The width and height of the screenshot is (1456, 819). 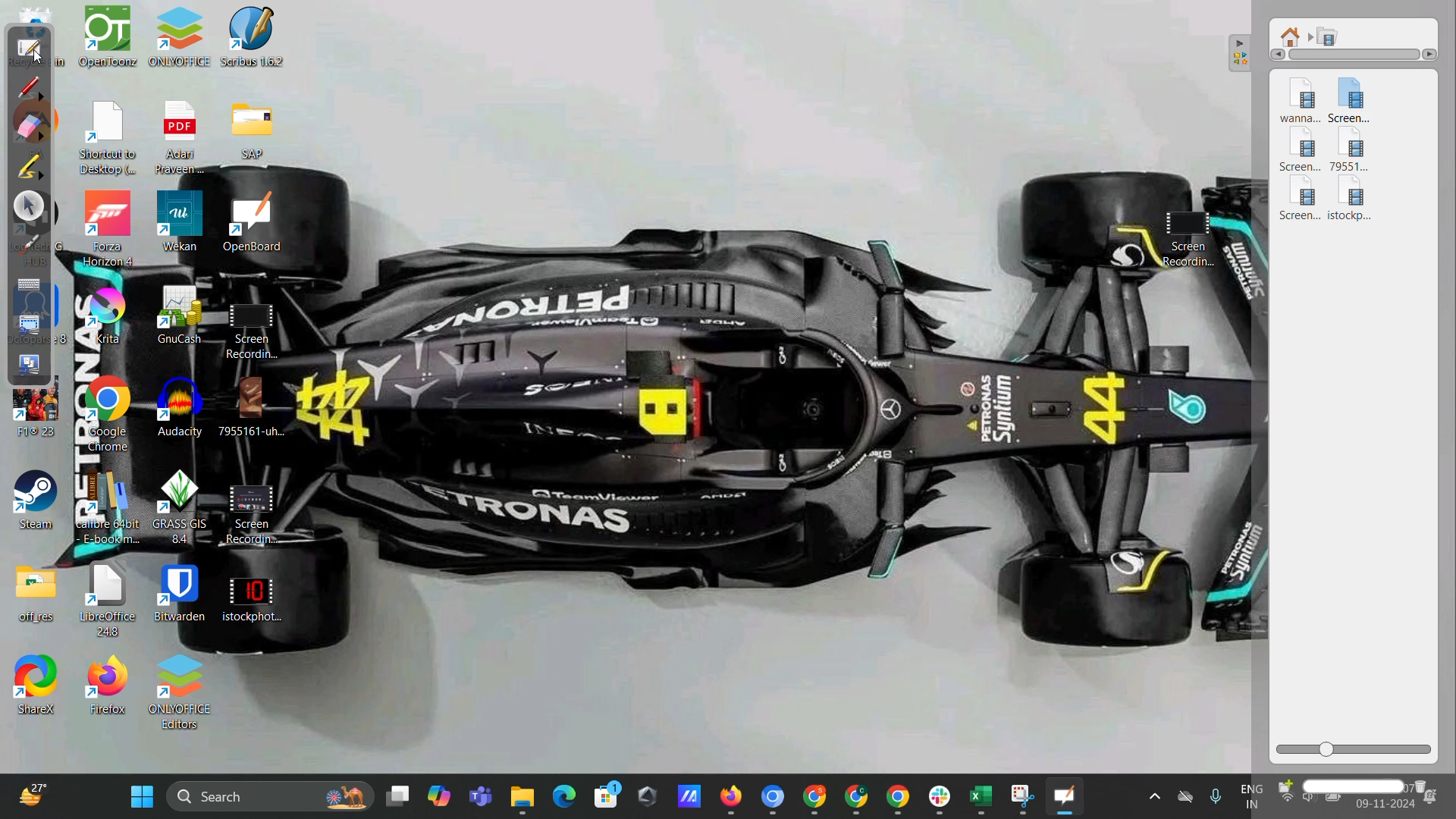 What do you see at coordinates (1383, 808) in the screenshot?
I see `cursor` at bounding box center [1383, 808].